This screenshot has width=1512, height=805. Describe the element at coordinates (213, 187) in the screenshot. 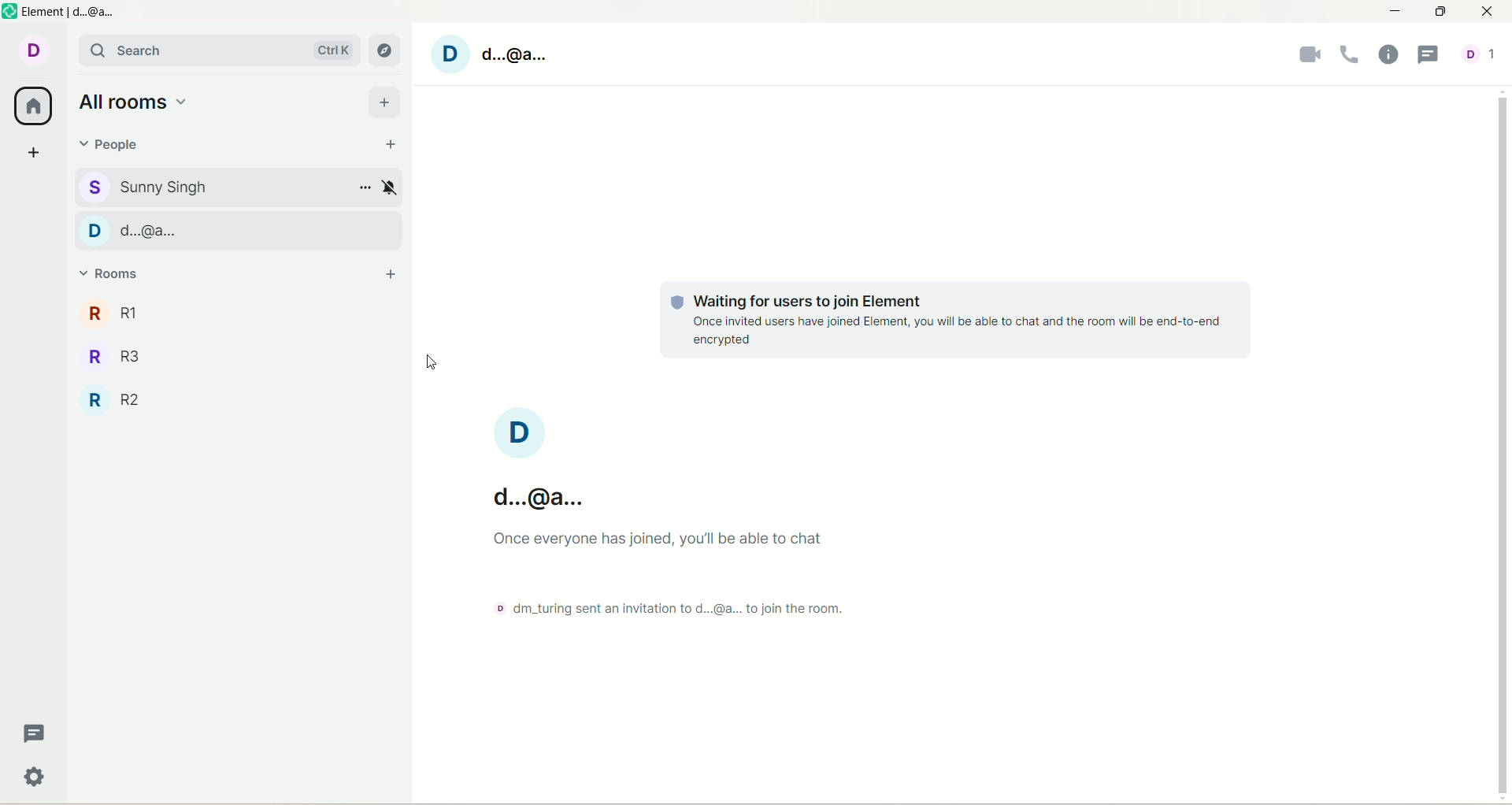

I see `sunny singh` at that location.